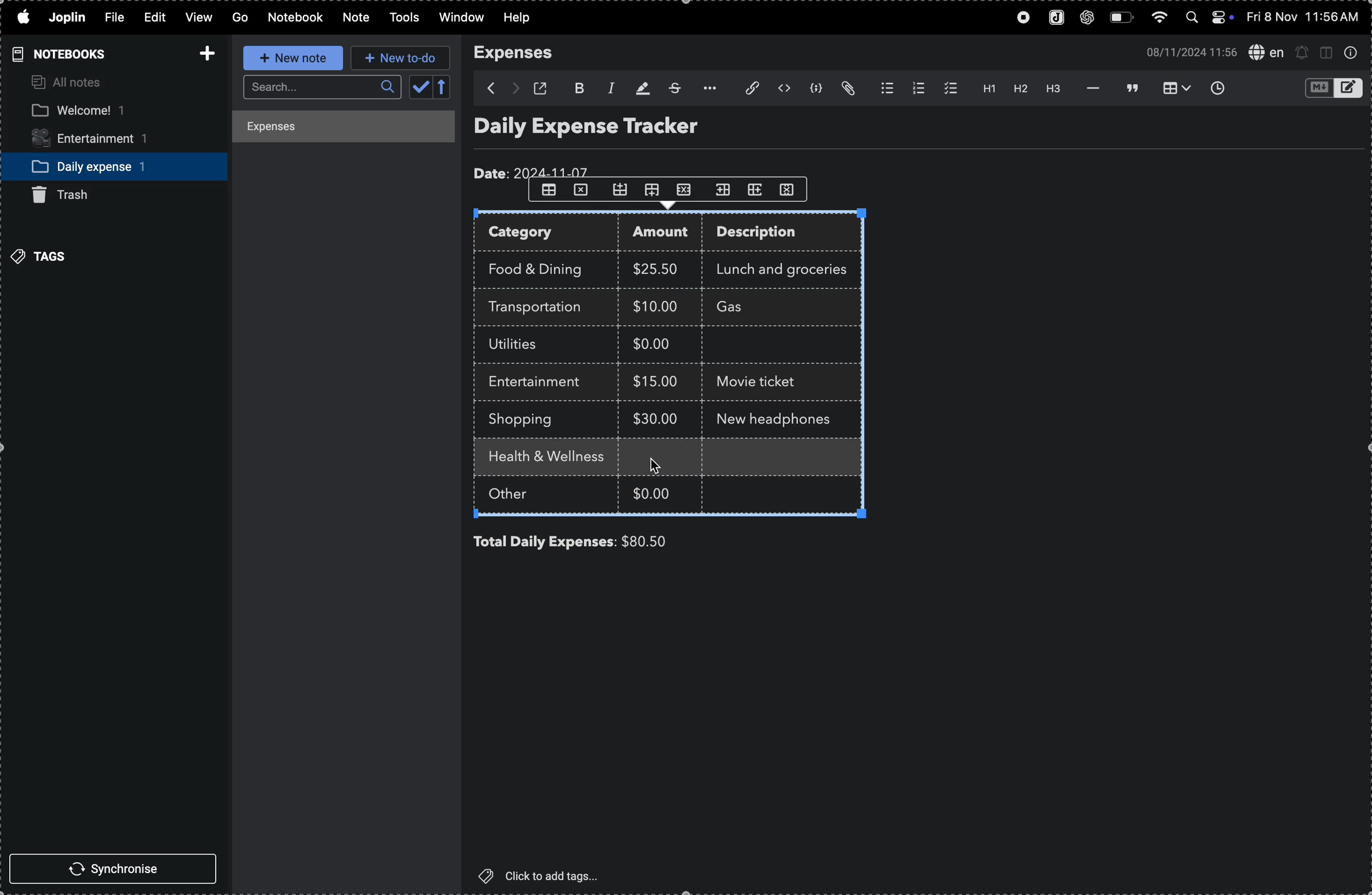 The image size is (1372, 895). I want to click on record, so click(1019, 18).